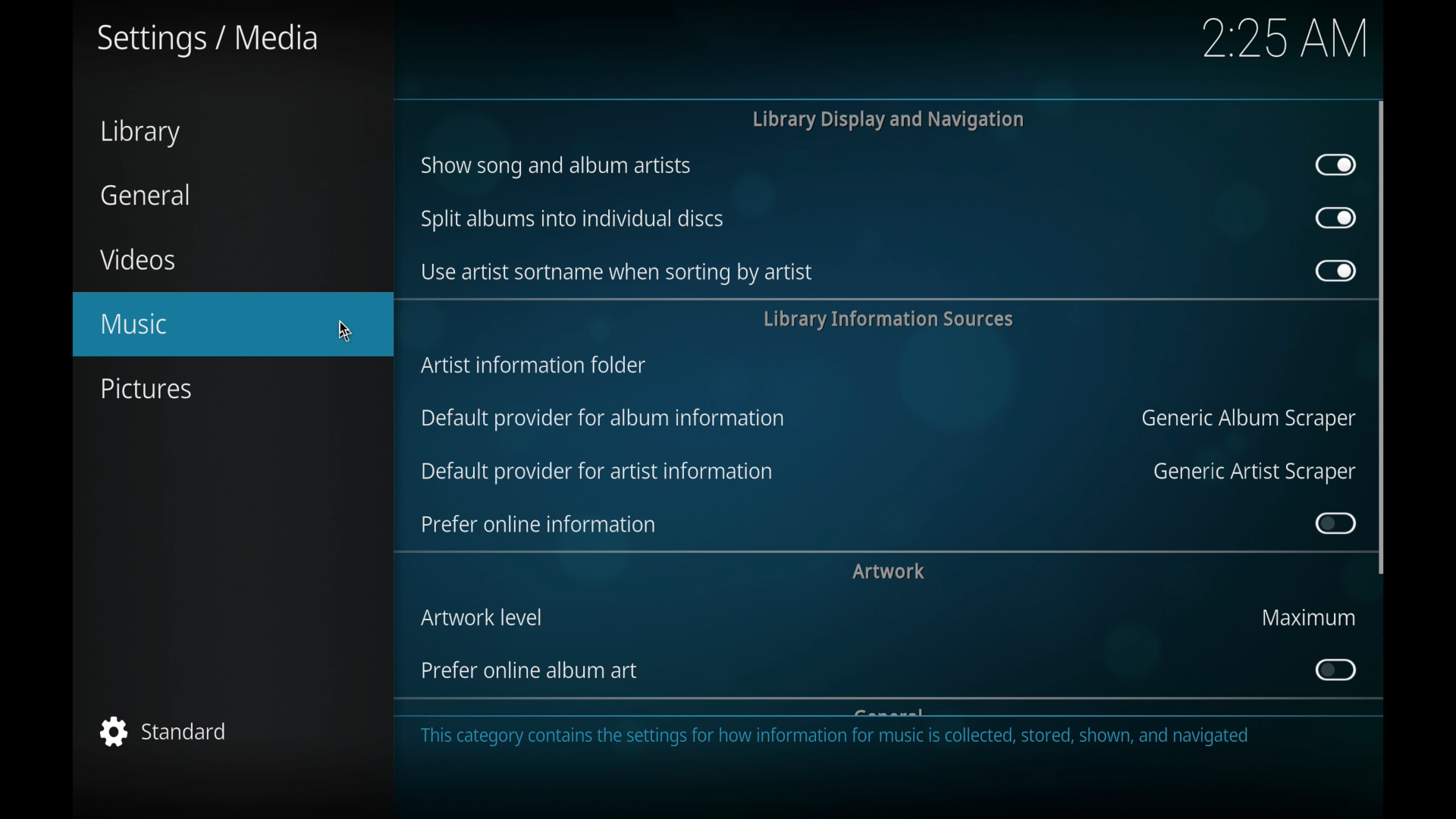 This screenshot has height=819, width=1456. I want to click on artwork, so click(890, 572).